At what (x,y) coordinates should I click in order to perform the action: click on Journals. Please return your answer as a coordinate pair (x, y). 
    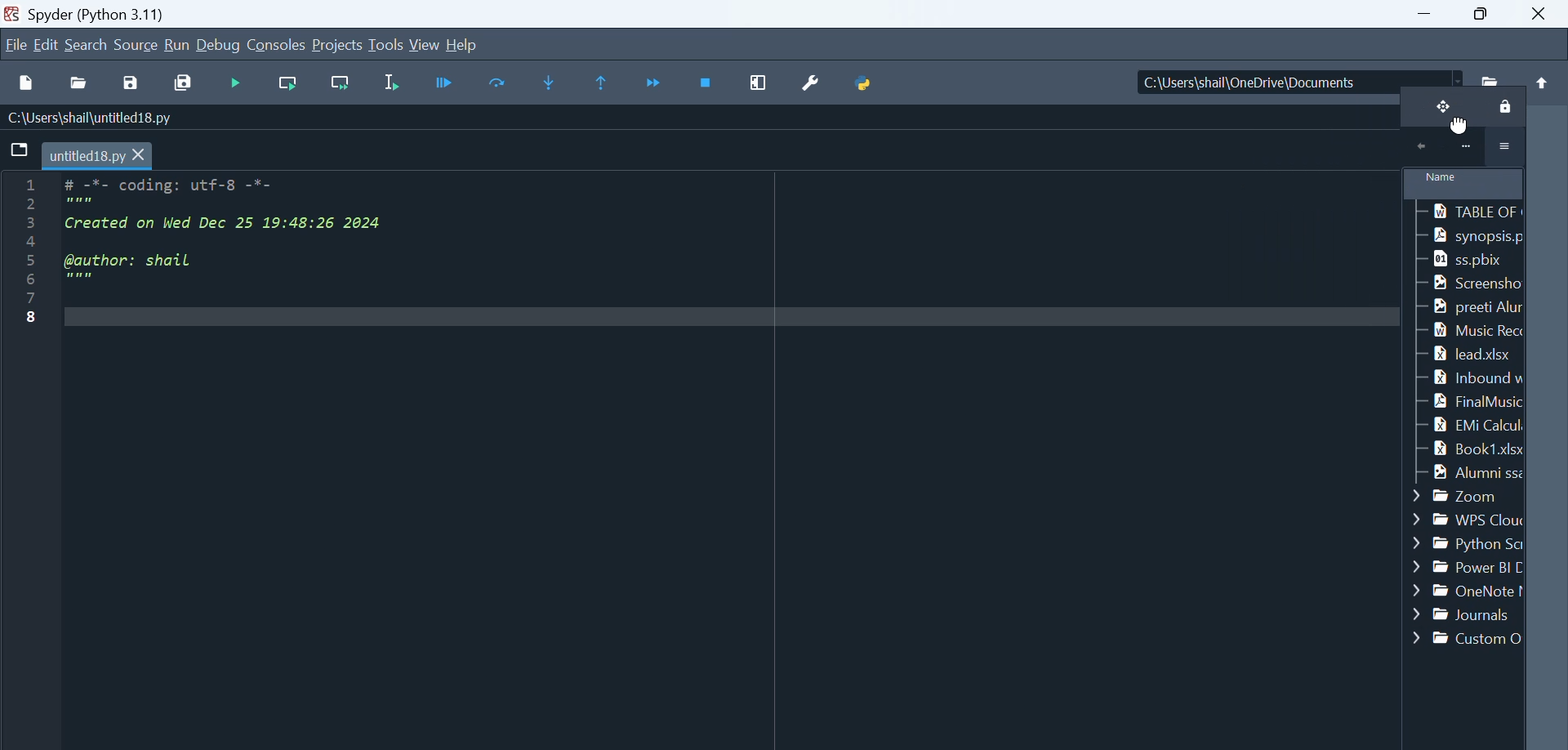
    Looking at the image, I should click on (1465, 617).